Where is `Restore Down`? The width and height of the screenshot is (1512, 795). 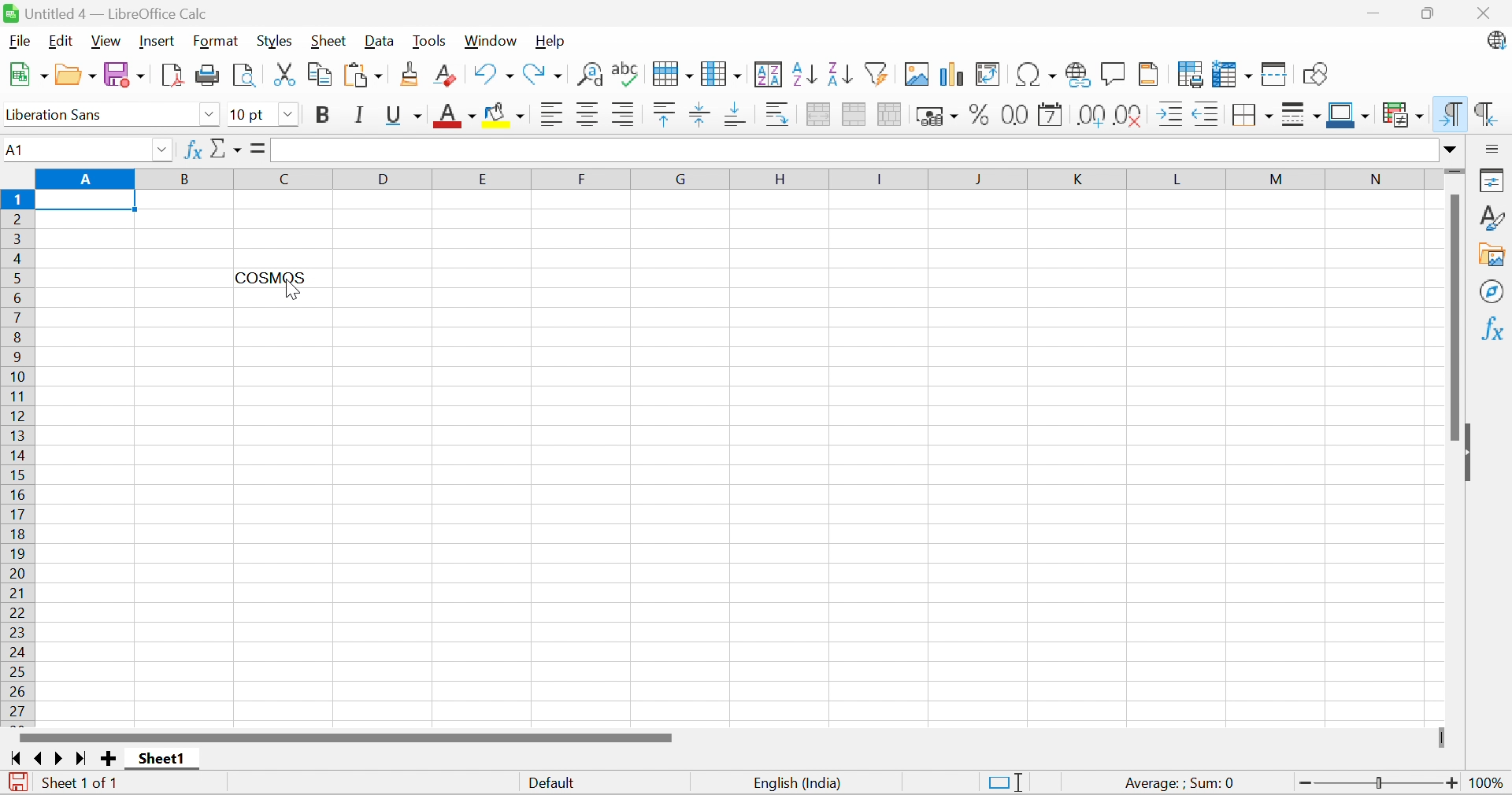
Restore Down is located at coordinates (1428, 12).